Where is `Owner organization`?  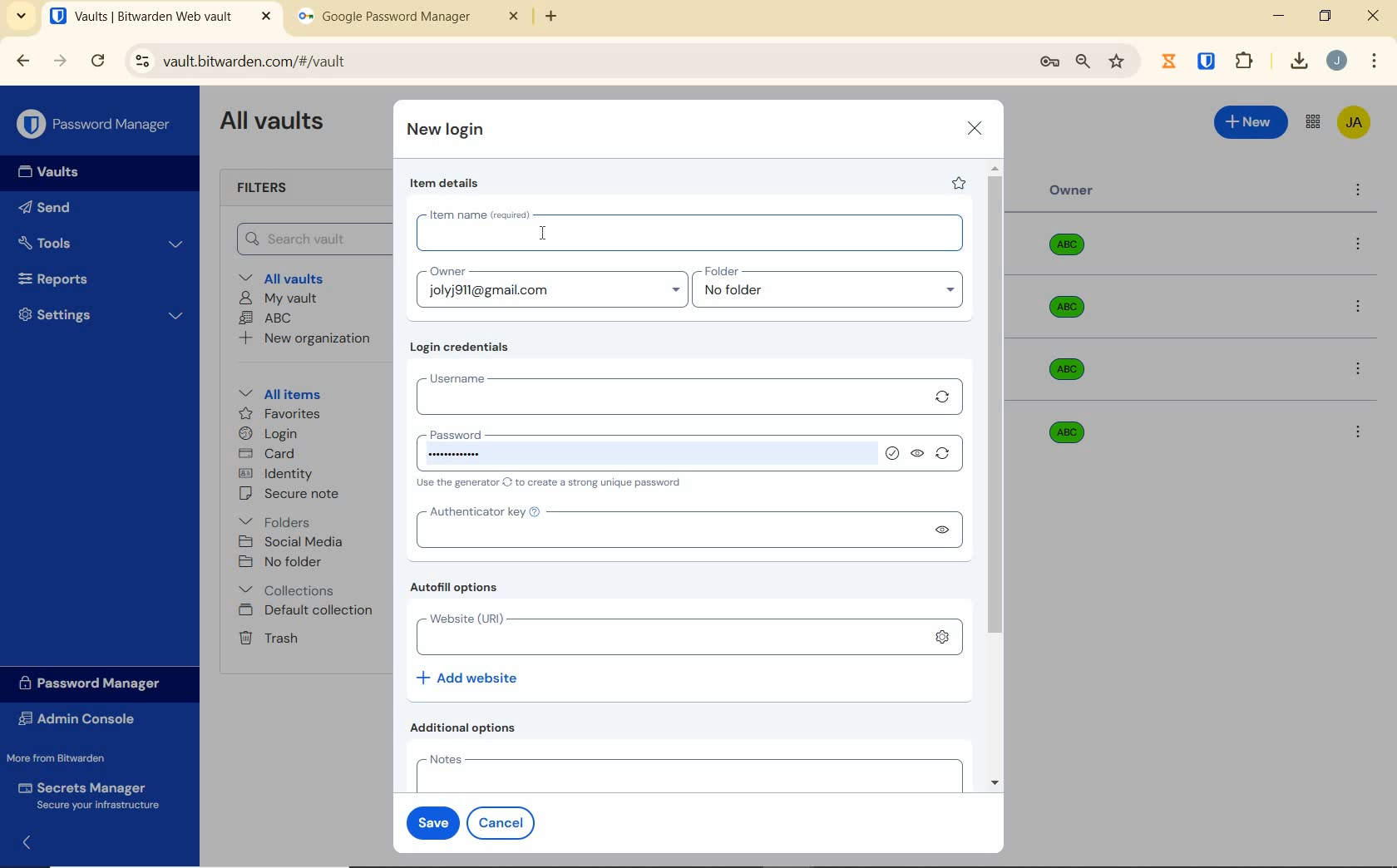 Owner organization is located at coordinates (1063, 431).